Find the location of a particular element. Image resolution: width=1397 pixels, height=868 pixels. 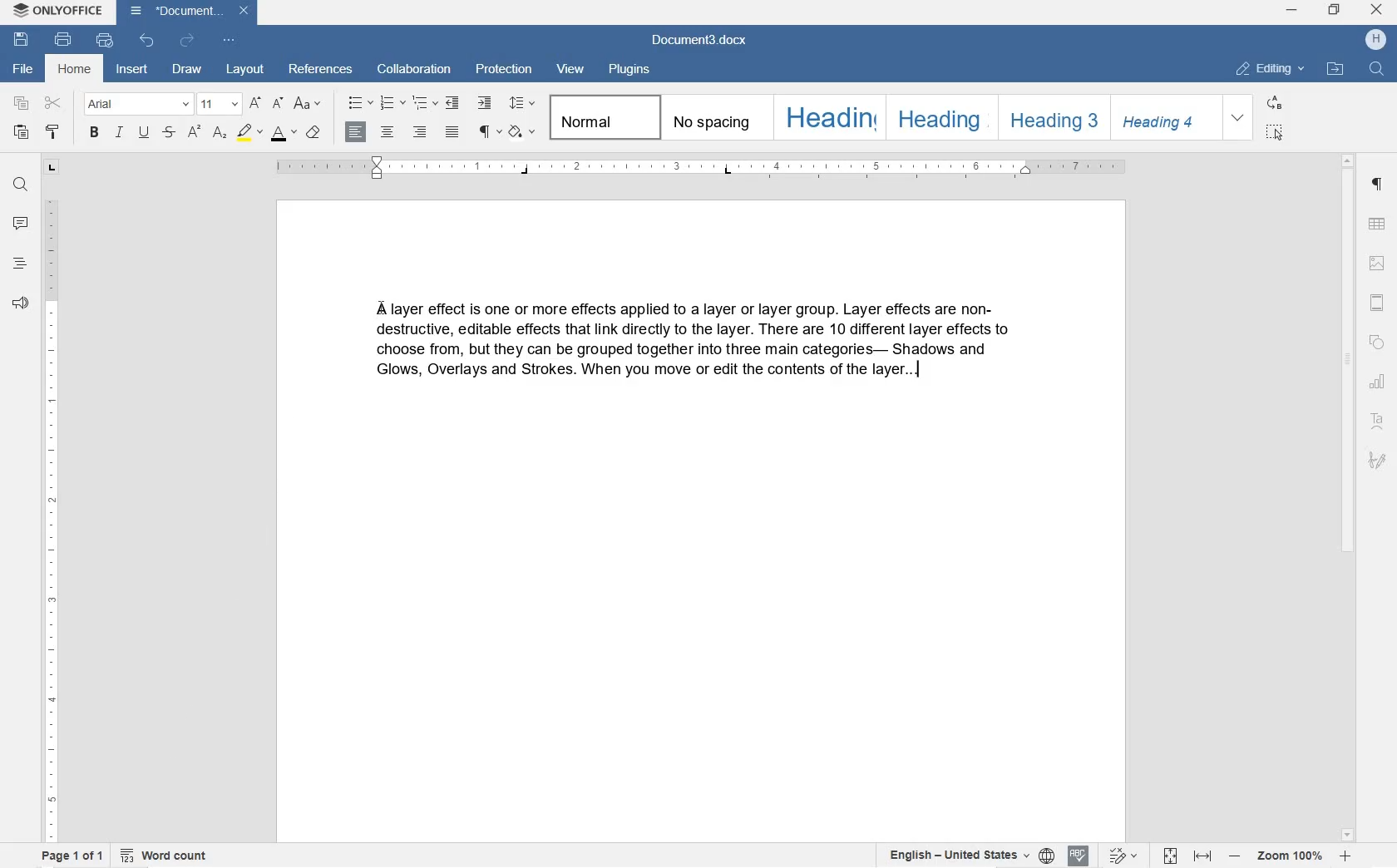

ITALIC is located at coordinates (120, 133).